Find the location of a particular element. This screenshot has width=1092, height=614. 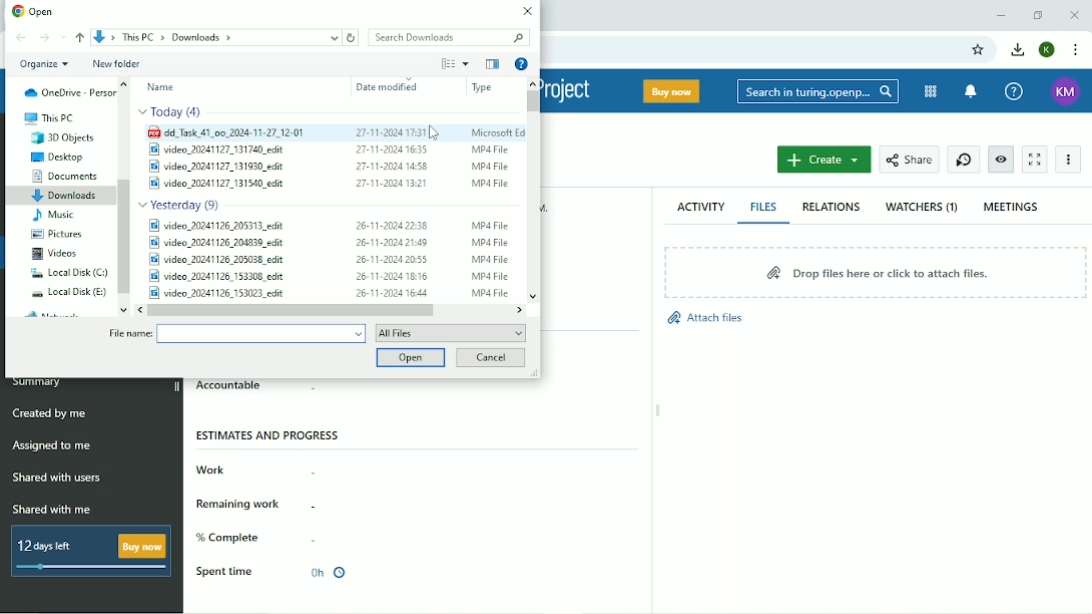

Work is located at coordinates (213, 469).